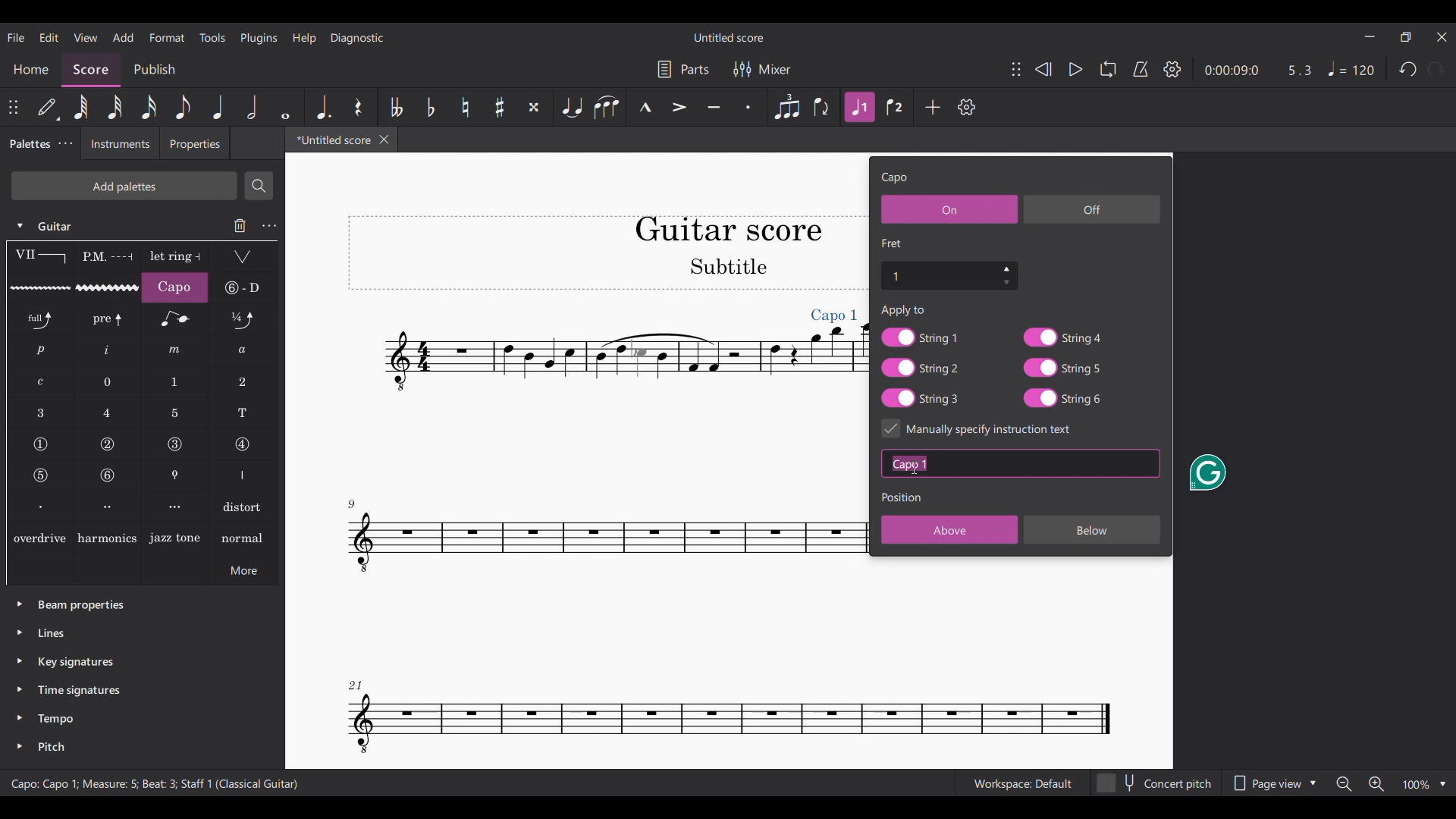 Image resolution: width=1456 pixels, height=819 pixels. What do you see at coordinates (86, 38) in the screenshot?
I see `View menu` at bounding box center [86, 38].